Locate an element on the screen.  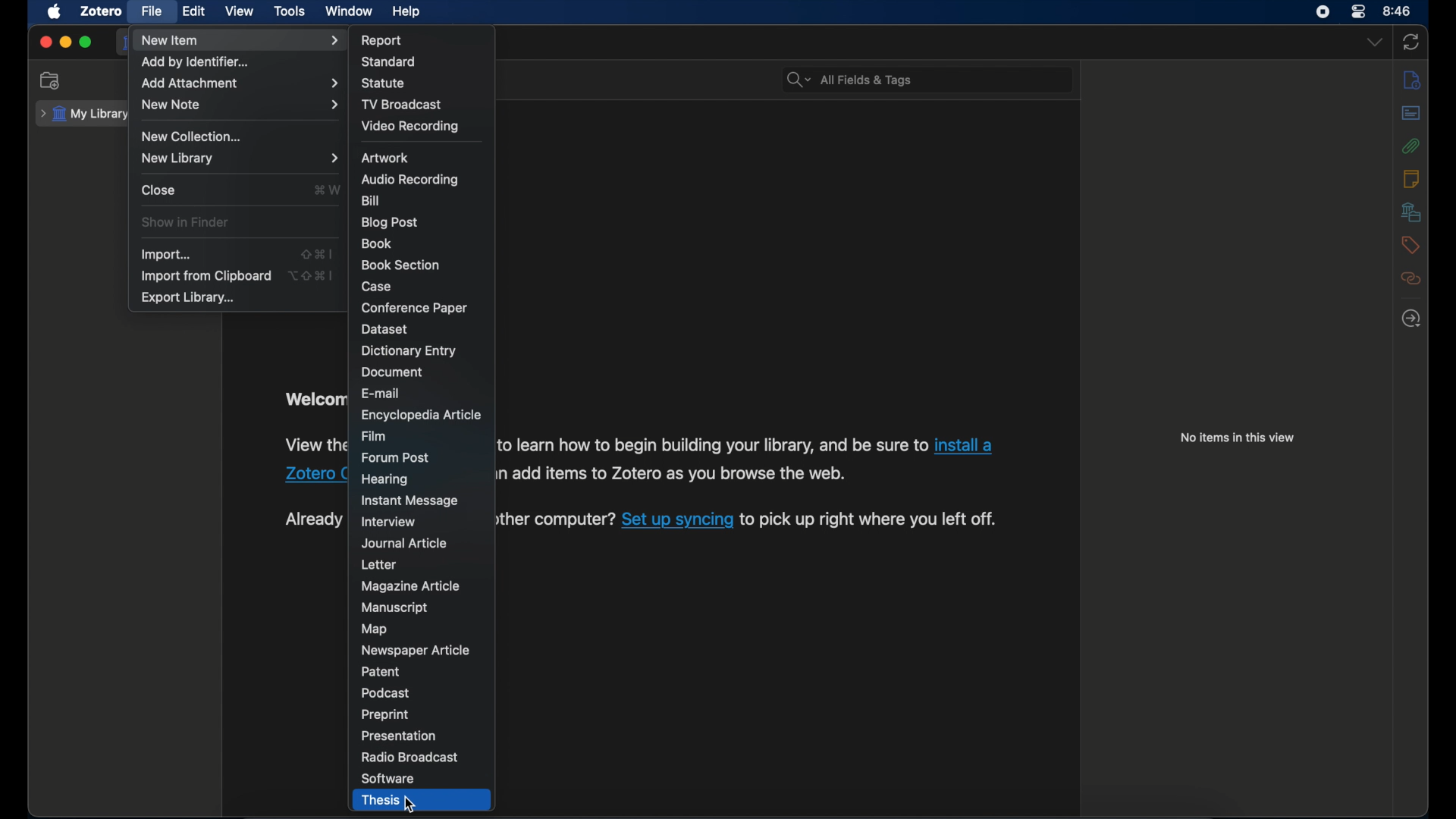
no items in this view is located at coordinates (1238, 437).